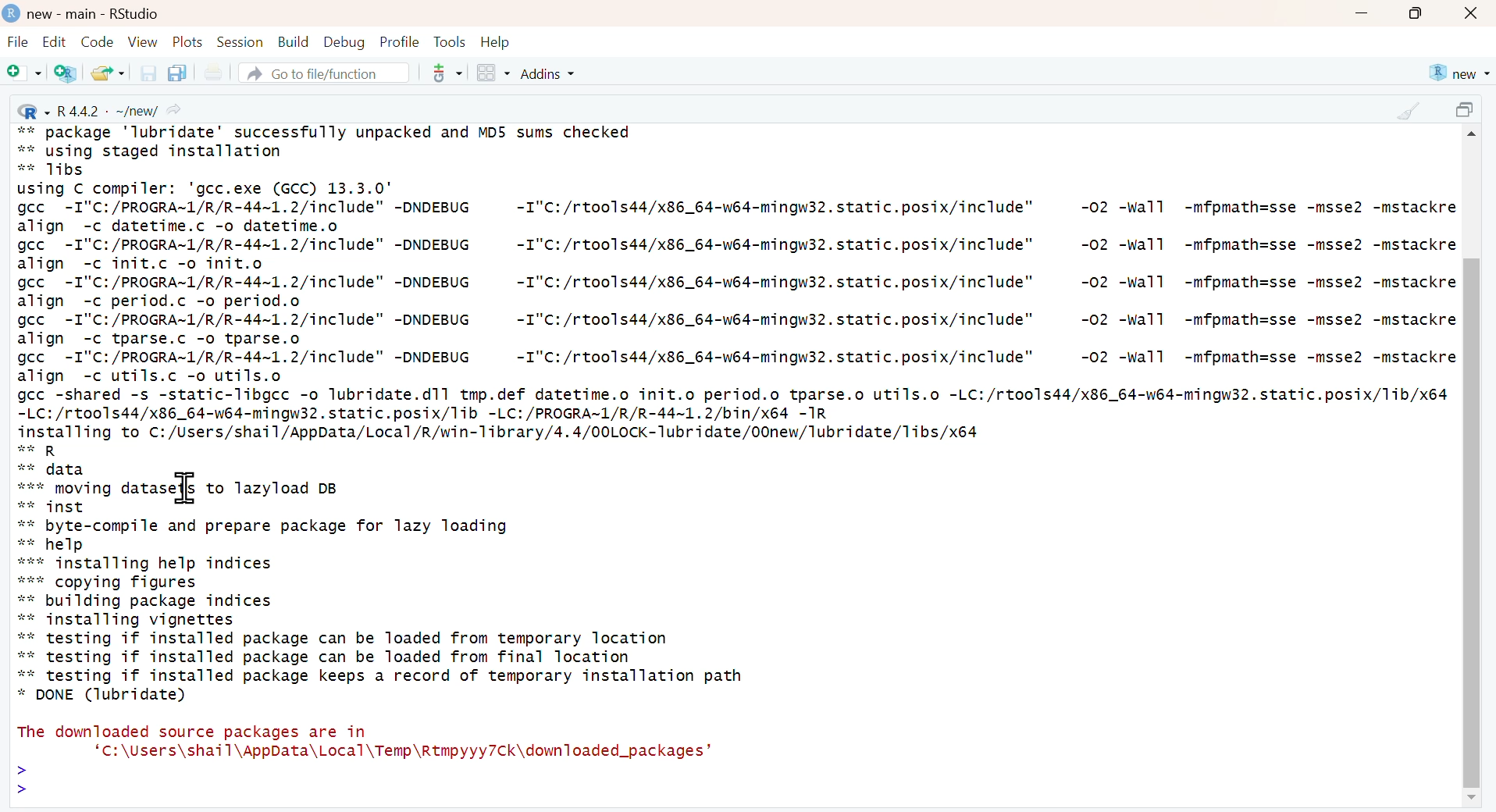 The image size is (1496, 812). I want to click on The downloaded source packages are in
‘C:\Users\shail\AppData\Local\Temp\Rtmpyyy7Ck\downloaded_packages’

>

>, so click(366, 759).